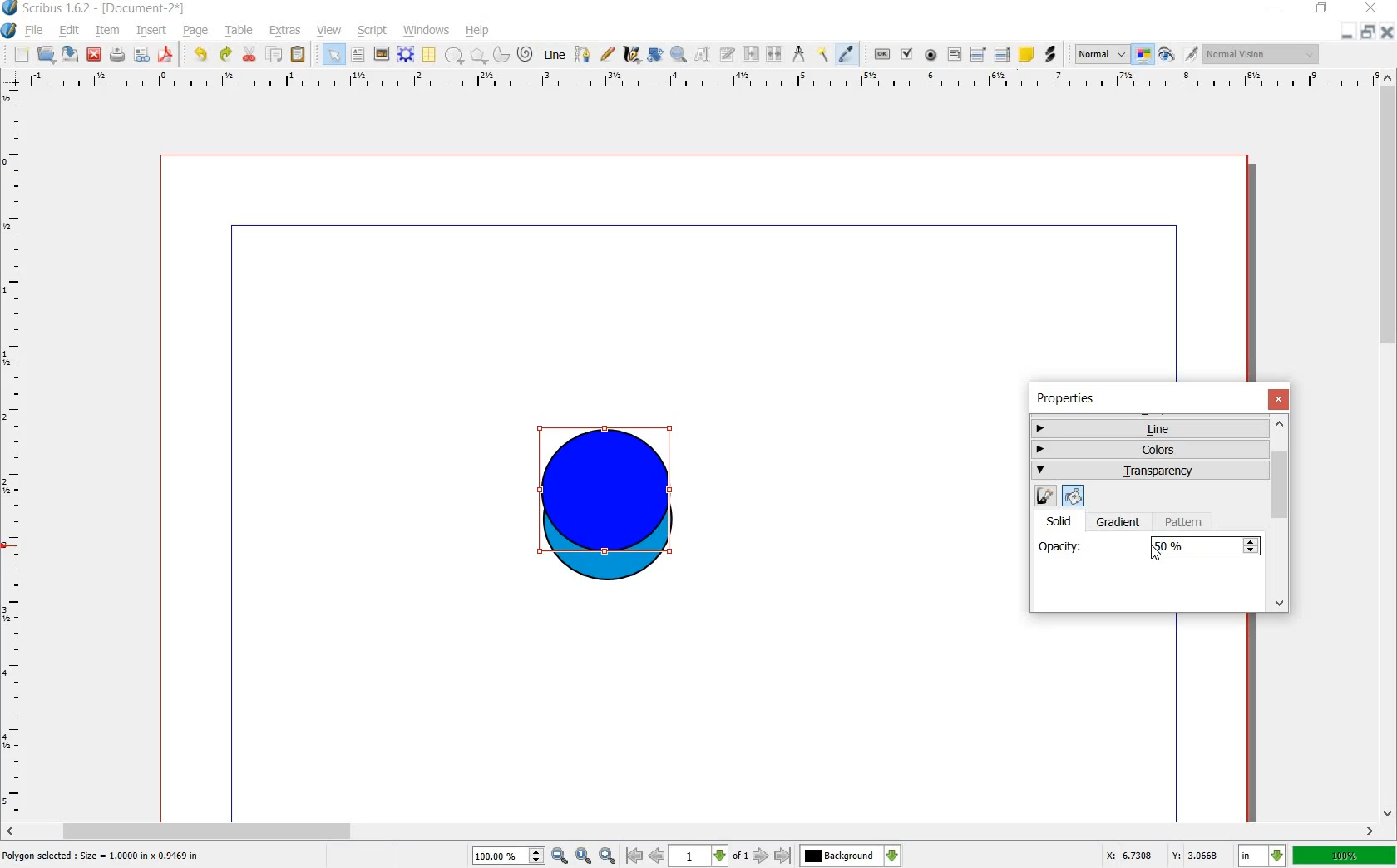 The image size is (1397, 868). What do you see at coordinates (45, 54) in the screenshot?
I see `open` at bounding box center [45, 54].